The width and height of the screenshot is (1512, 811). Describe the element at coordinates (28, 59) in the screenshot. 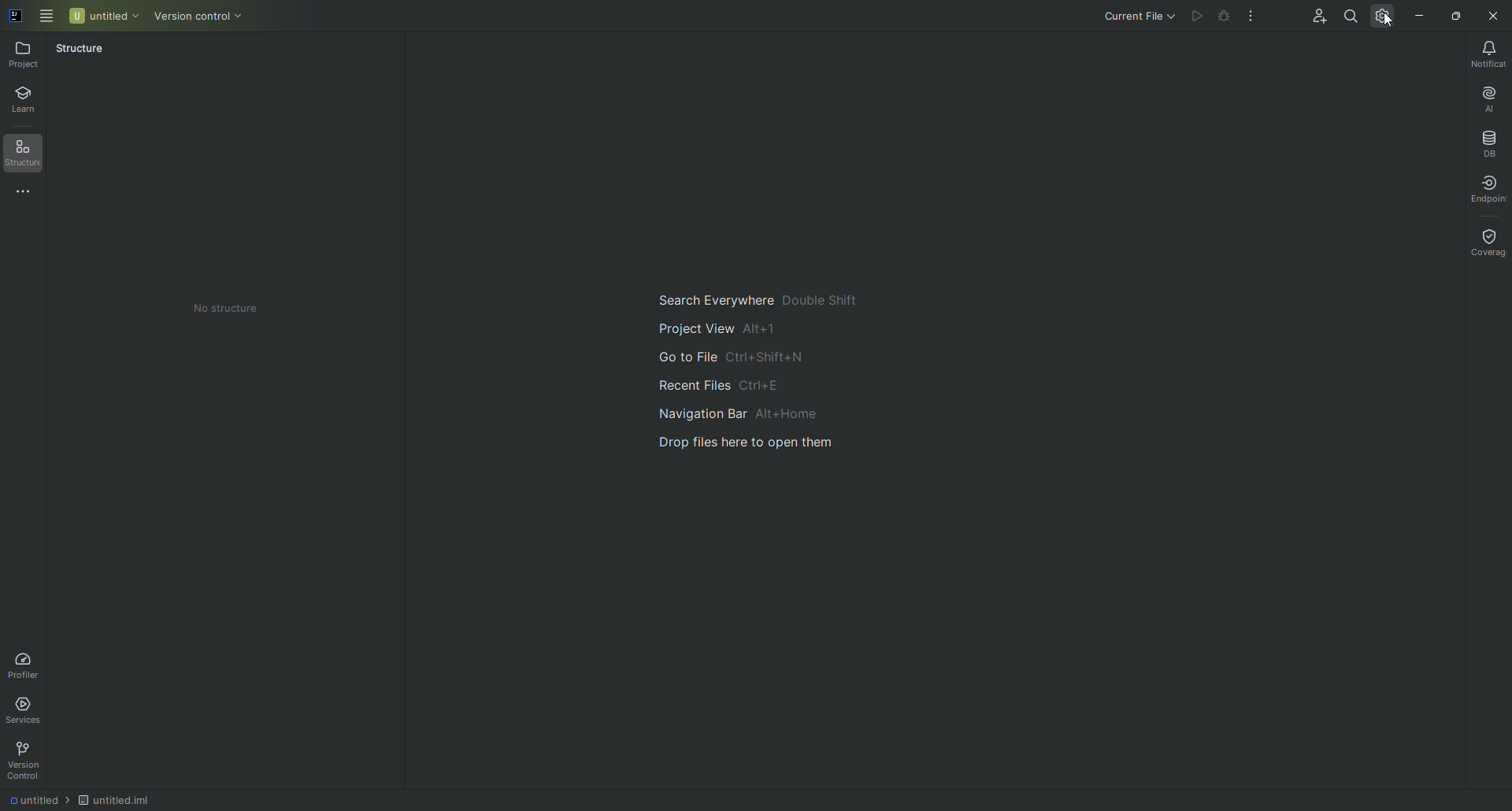

I see `Project` at that location.